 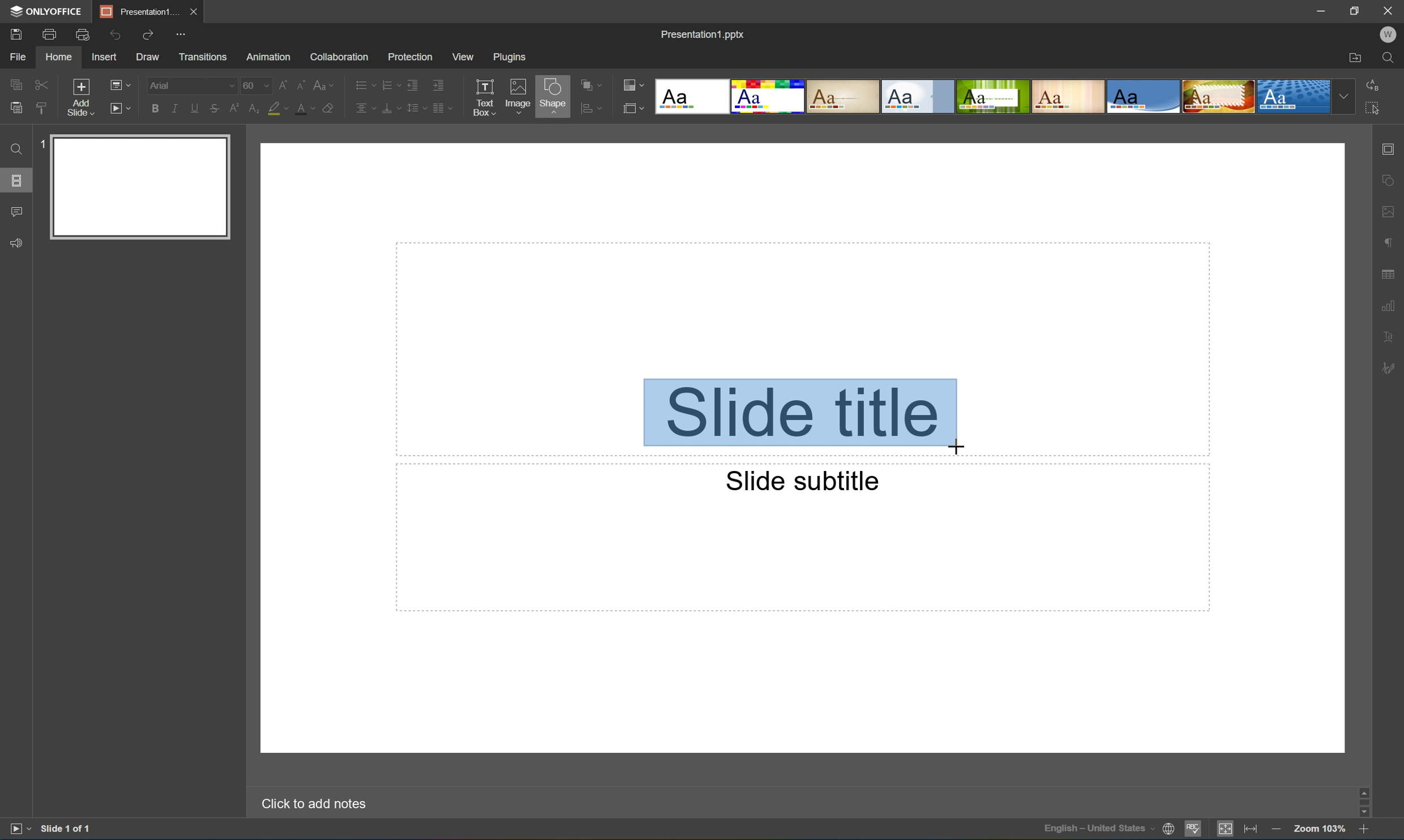 What do you see at coordinates (1373, 112) in the screenshot?
I see `Select all` at bounding box center [1373, 112].